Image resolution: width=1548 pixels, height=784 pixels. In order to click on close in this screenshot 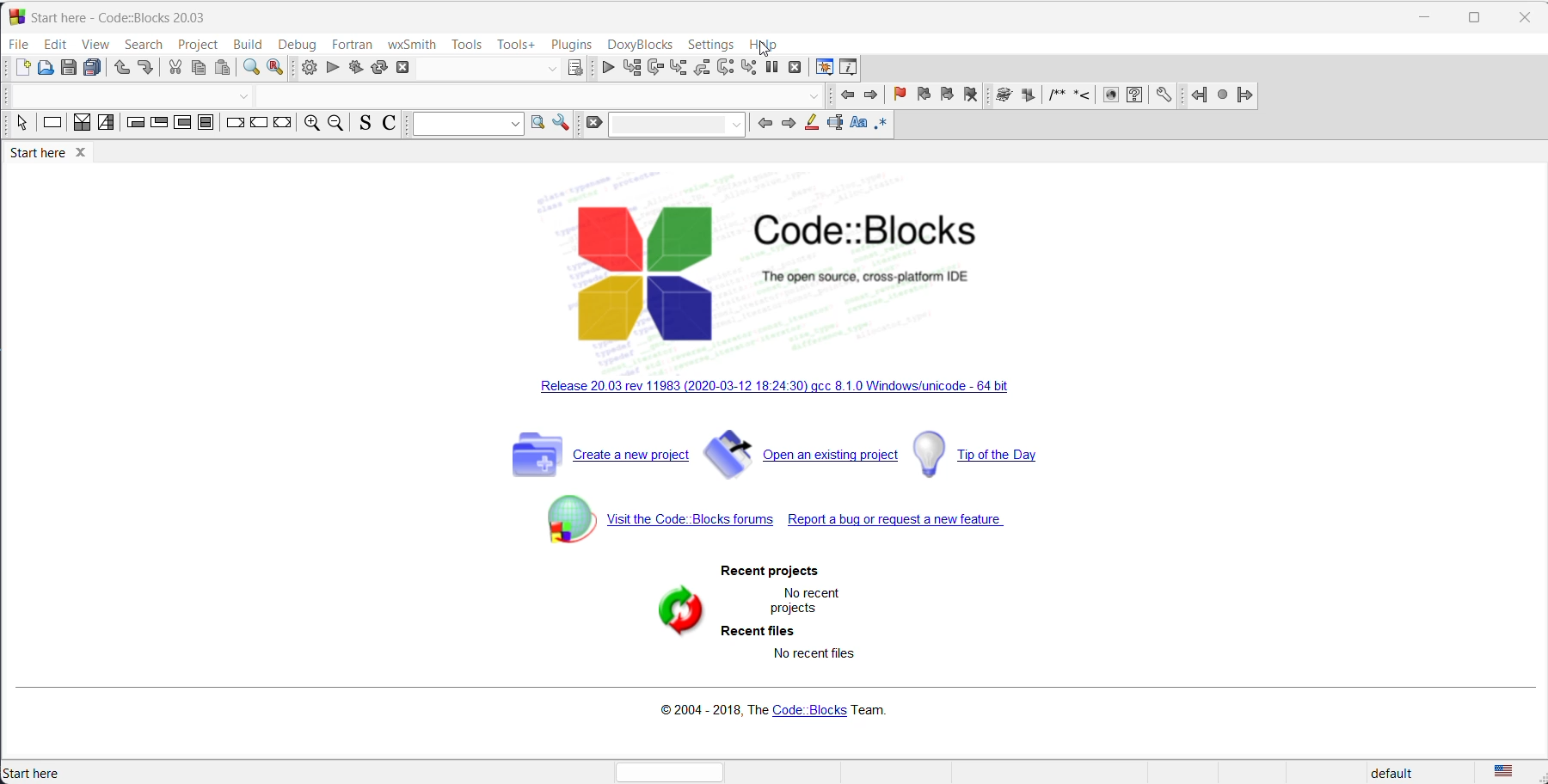, I will do `click(1524, 17)`.